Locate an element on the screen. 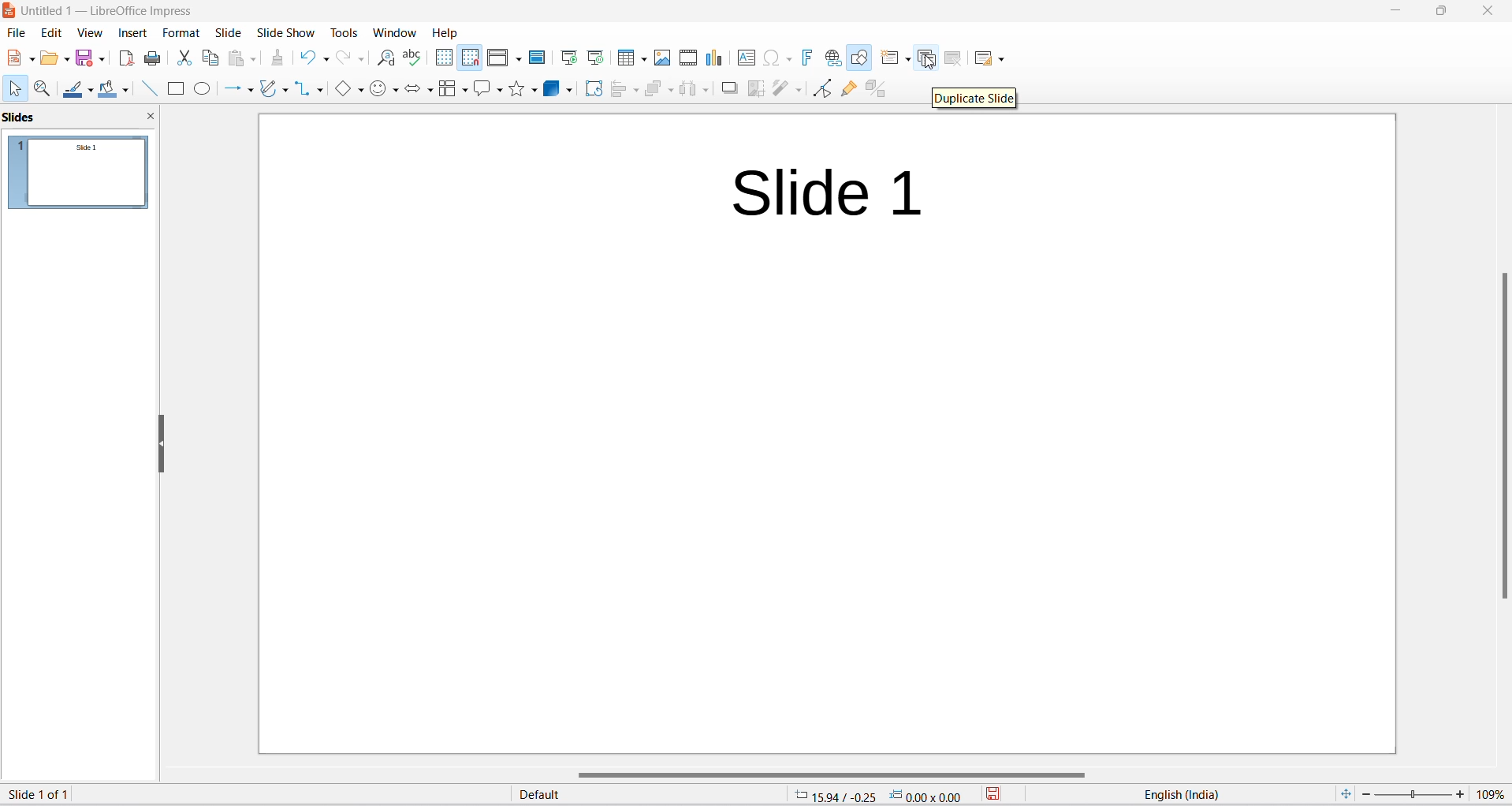 The height and width of the screenshot is (806, 1512). snap to grid is located at coordinates (470, 58).